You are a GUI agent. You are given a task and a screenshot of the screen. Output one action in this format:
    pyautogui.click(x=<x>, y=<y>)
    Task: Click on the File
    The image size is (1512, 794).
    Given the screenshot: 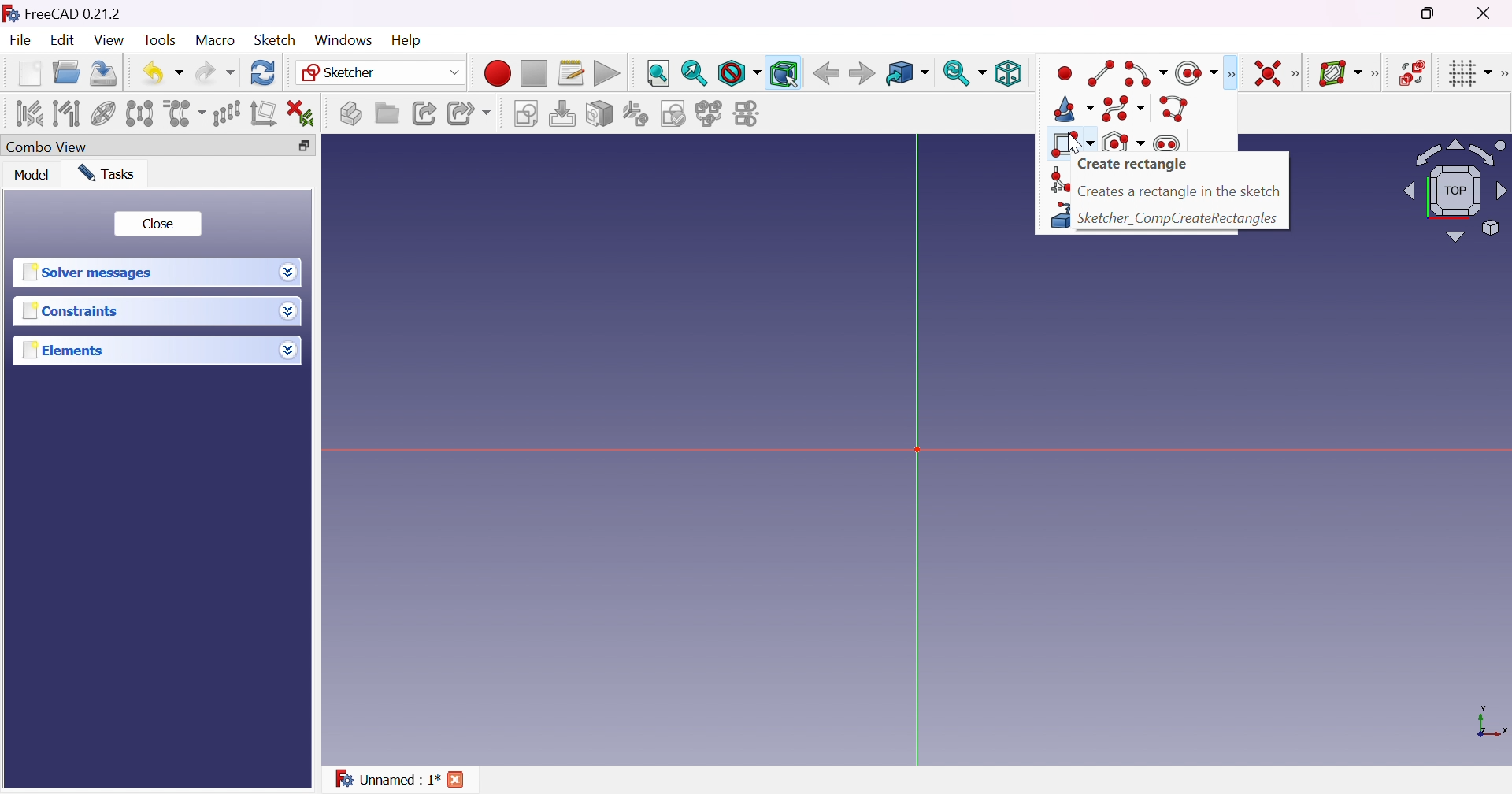 What is the action you would take?
    pyautogui.click(x=20, y=39)
    